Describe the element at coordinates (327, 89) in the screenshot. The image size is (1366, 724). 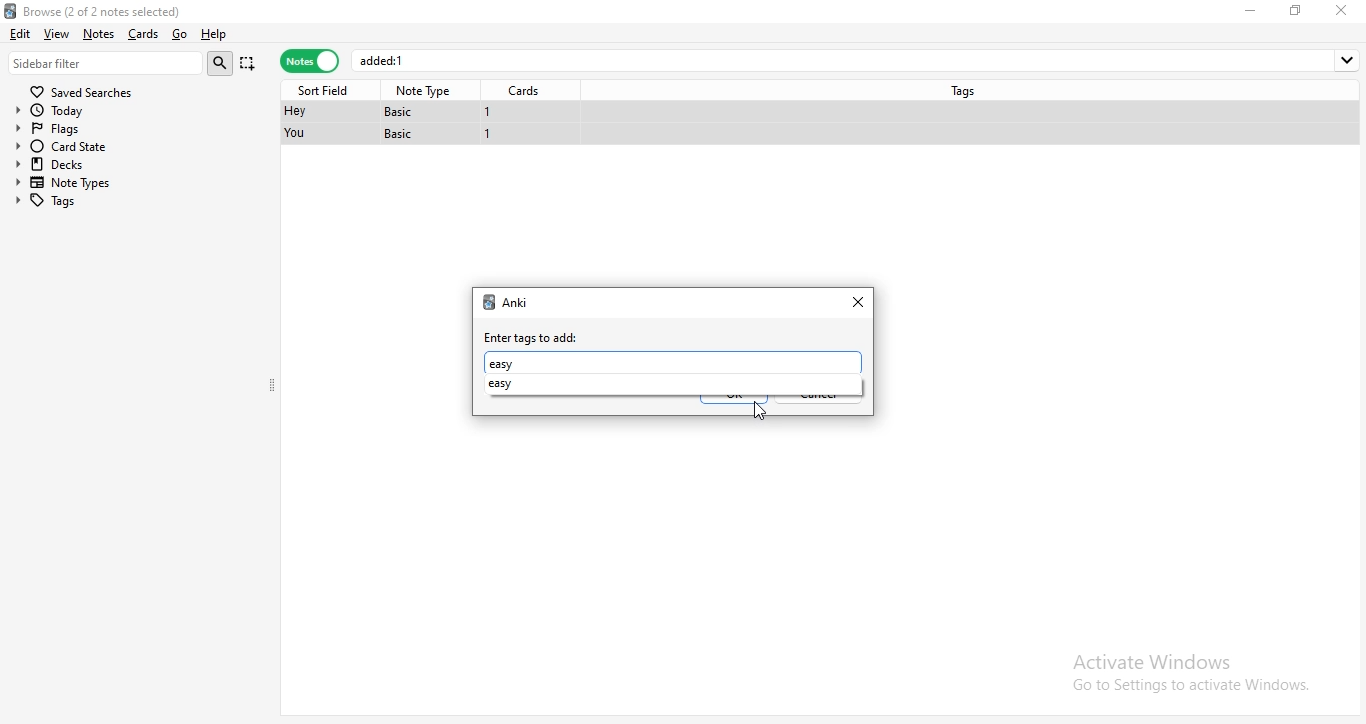
I see `sort field` at that location.